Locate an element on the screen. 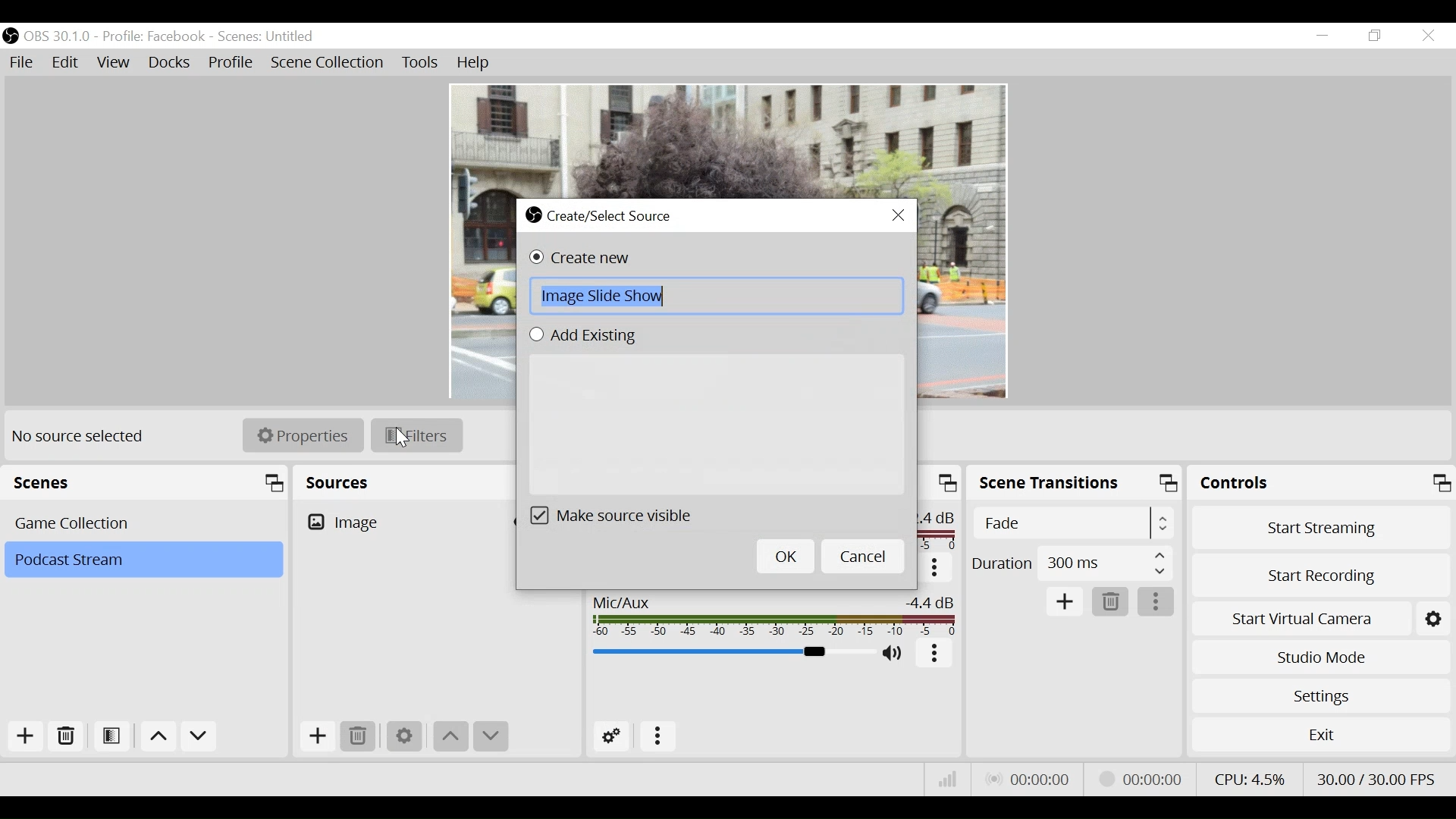  Properties is located at coordinates (306, 434).